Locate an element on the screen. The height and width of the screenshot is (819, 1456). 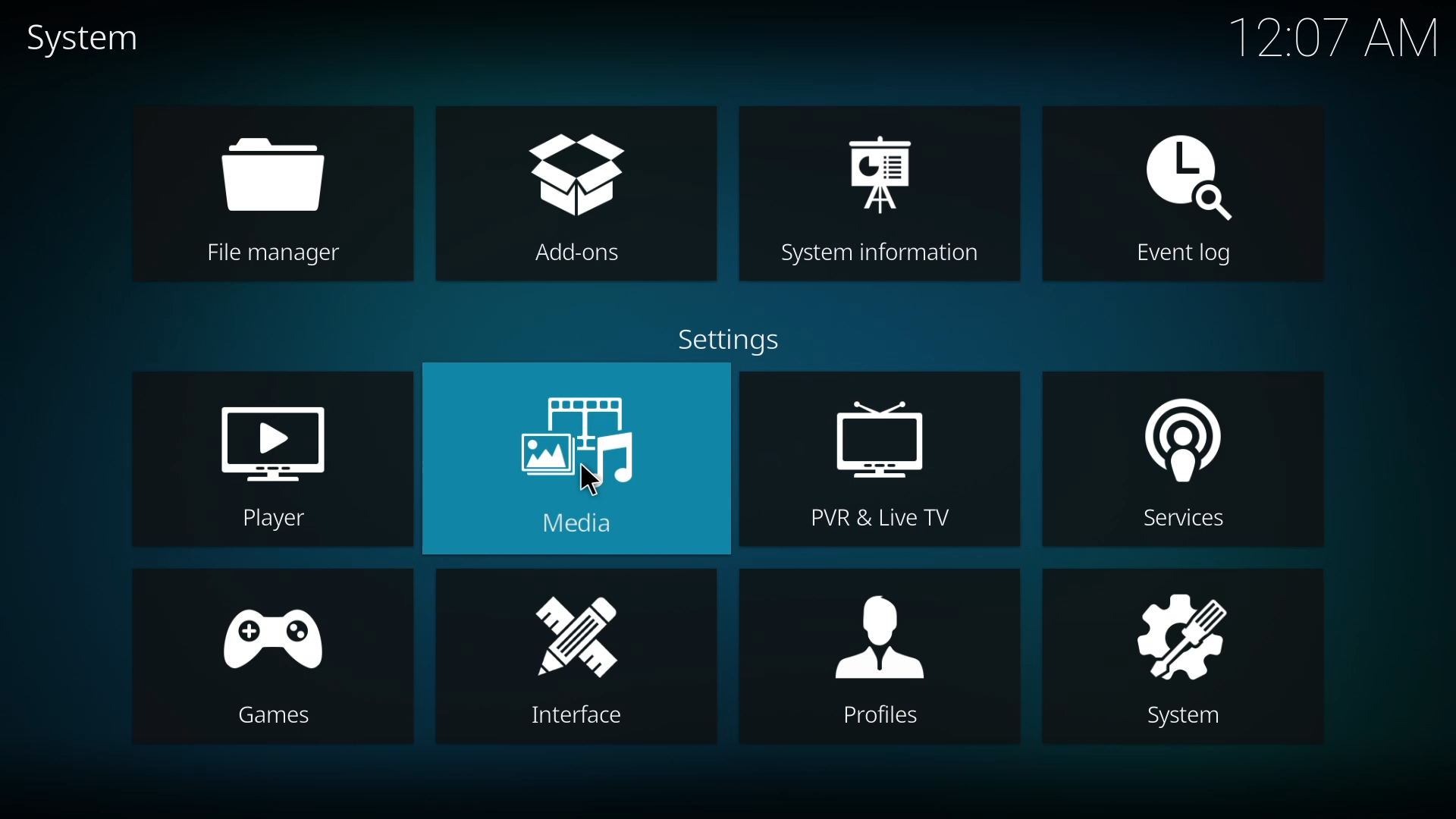
cursor is located at coordinates (588, 477).